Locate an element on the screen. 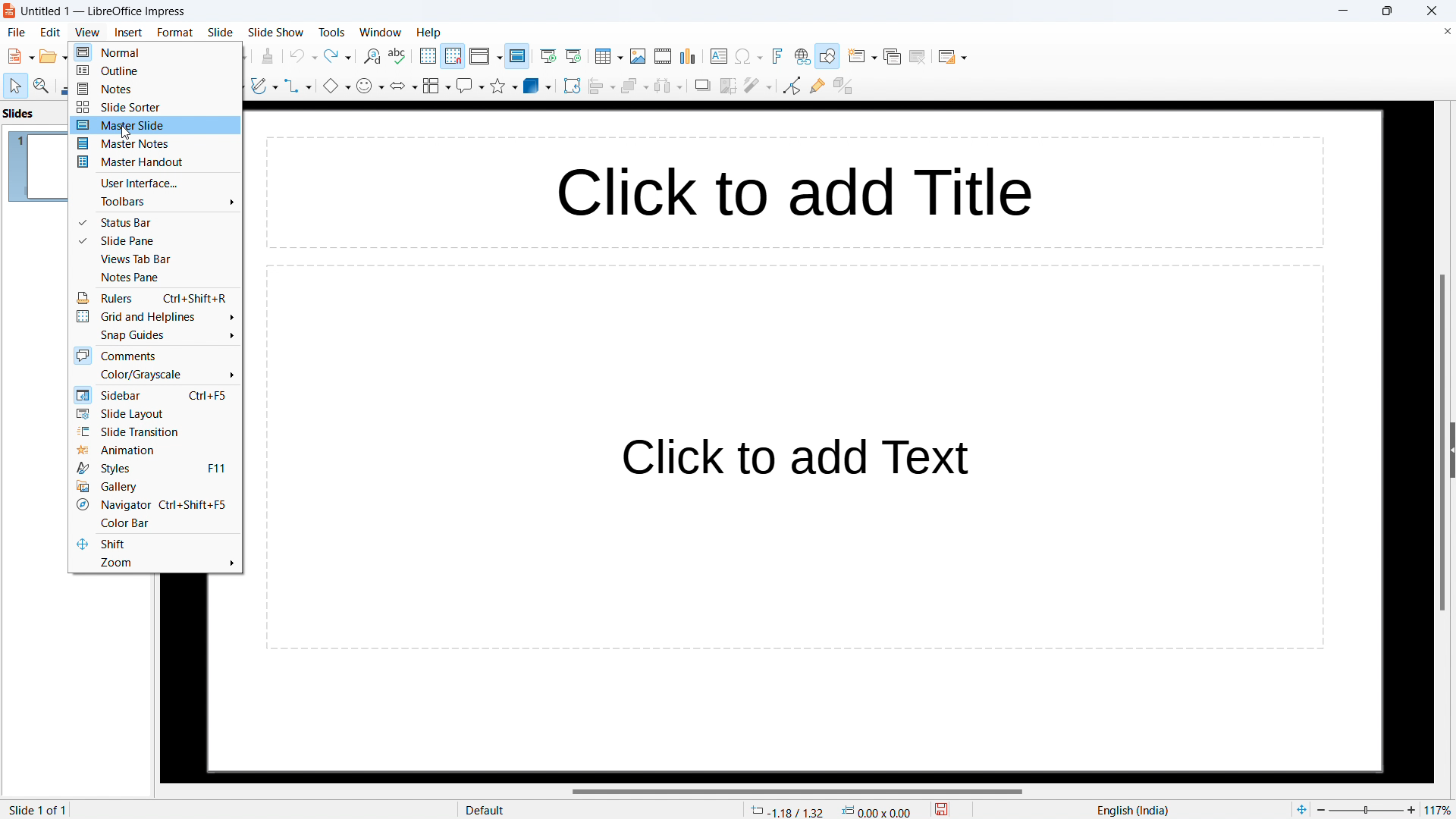 This screenshot has height=819, width=1456. grid and helplines is located at coordinates (156, 317).